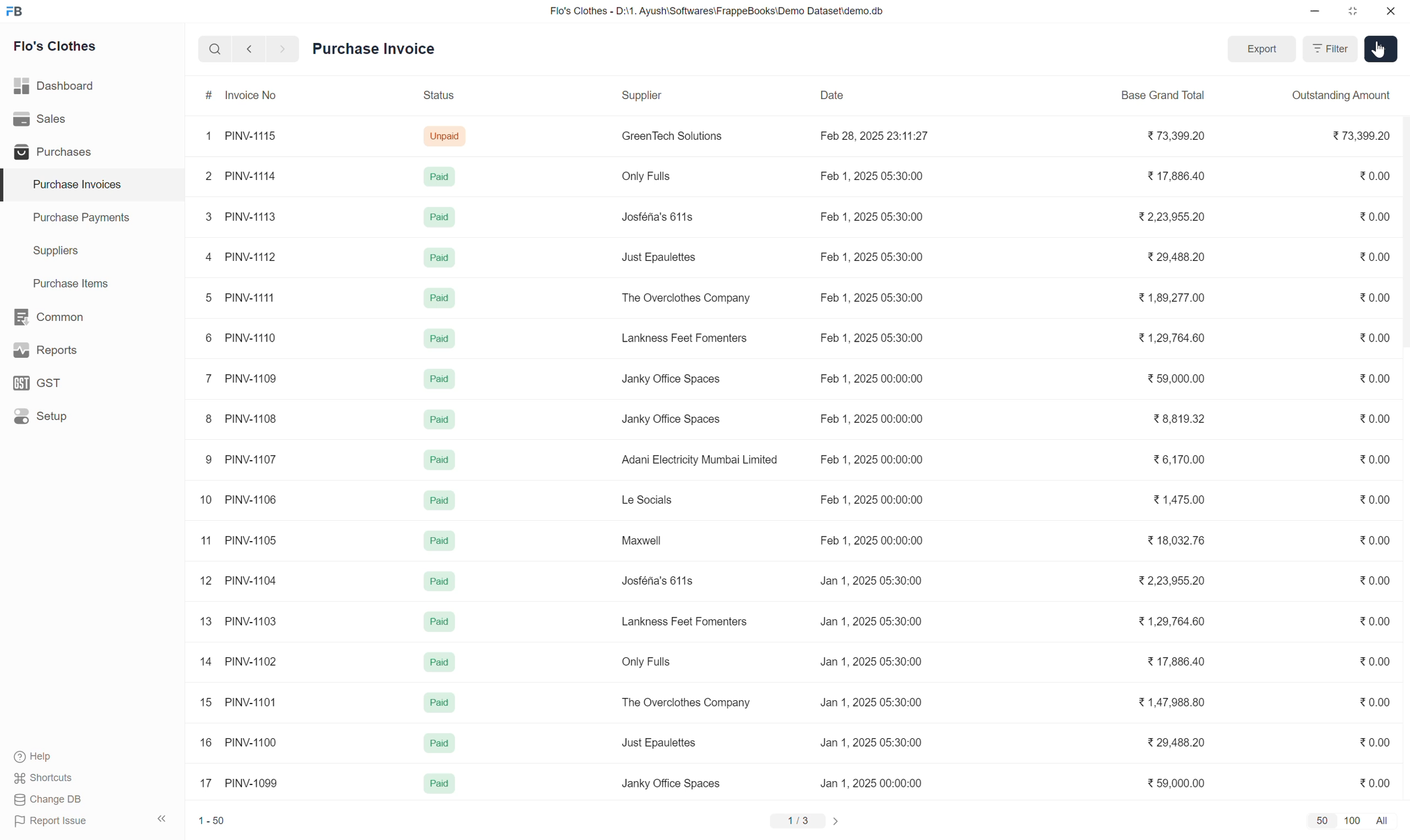 The image size is (1410, 840). Describe the element at coordinates (1373, 379) in the screenshot. I see `0.00` at that location.